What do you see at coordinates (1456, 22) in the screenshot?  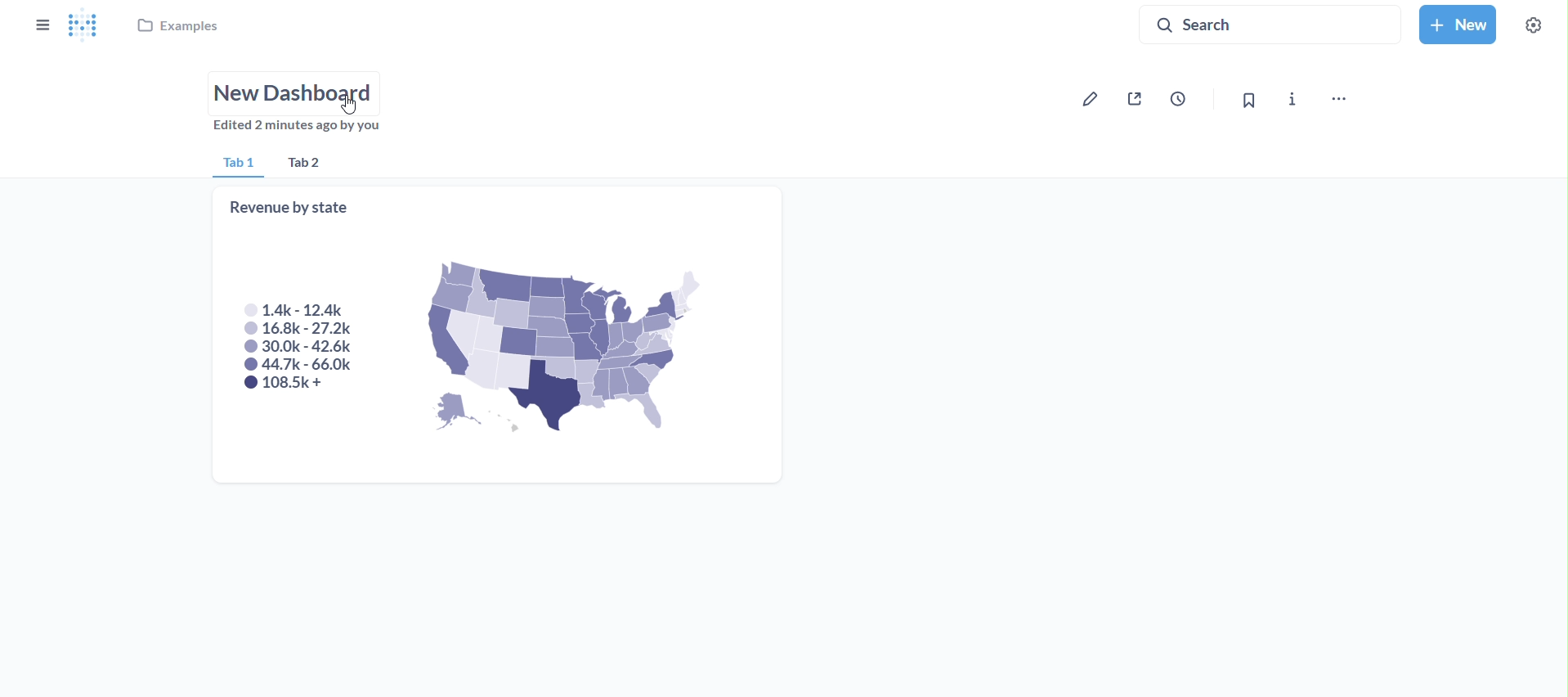 I see `new` at bounding box center [1456, 22].